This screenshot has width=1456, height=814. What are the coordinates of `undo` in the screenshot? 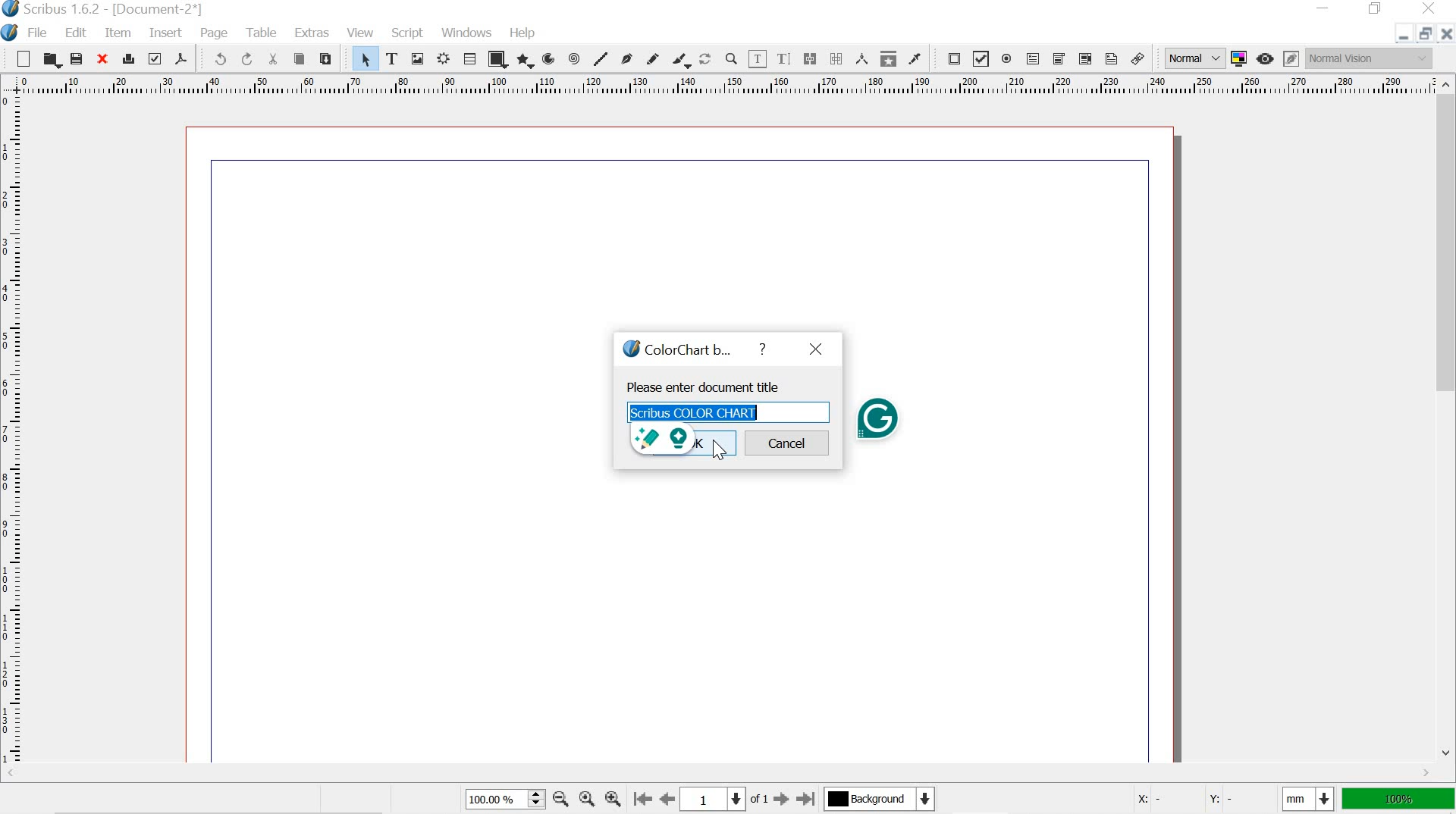 It's located at (215, 59).